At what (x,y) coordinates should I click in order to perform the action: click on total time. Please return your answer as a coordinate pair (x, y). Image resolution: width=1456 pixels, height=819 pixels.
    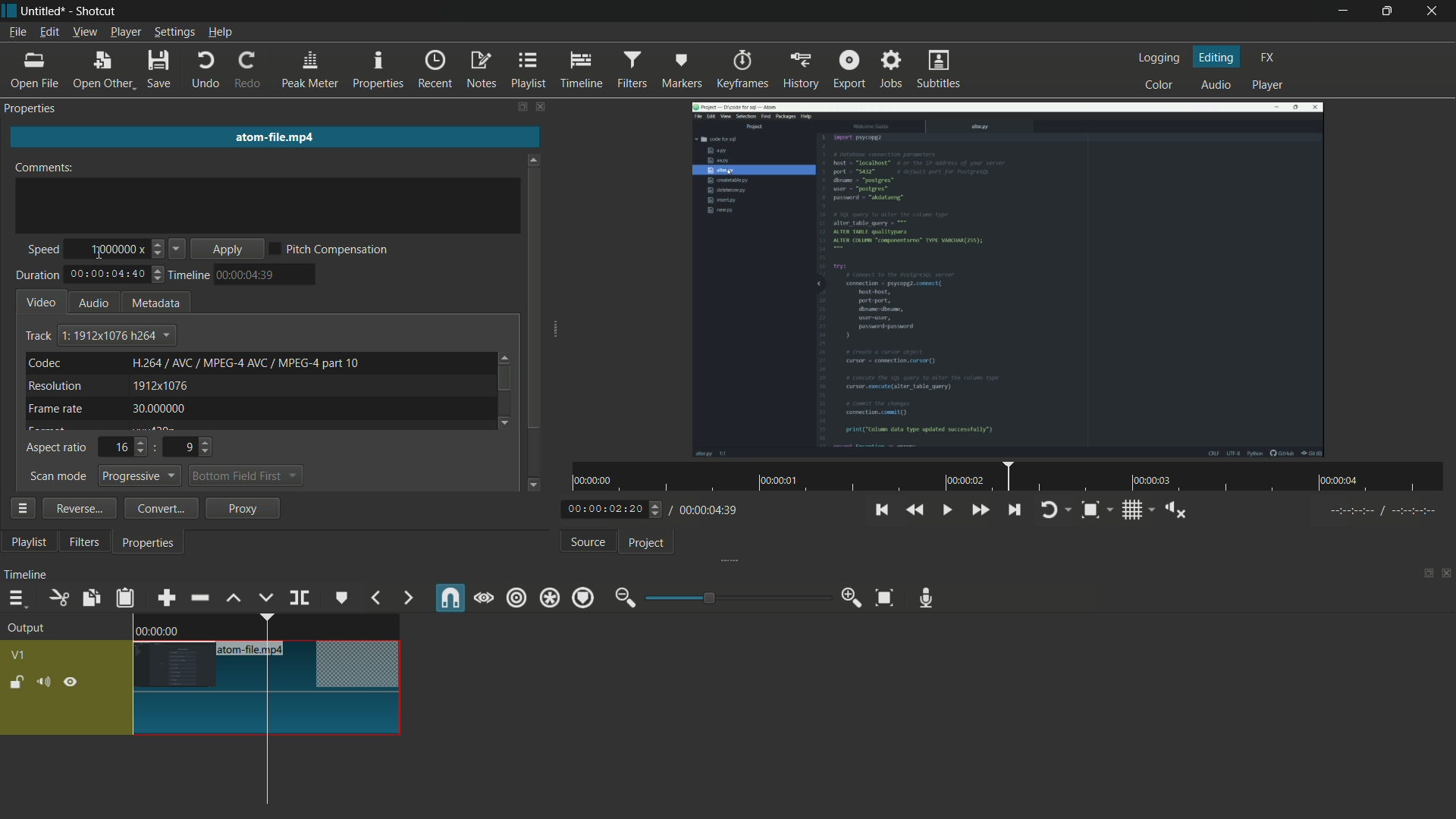
    Looking at the image, I should click on (708, 510).